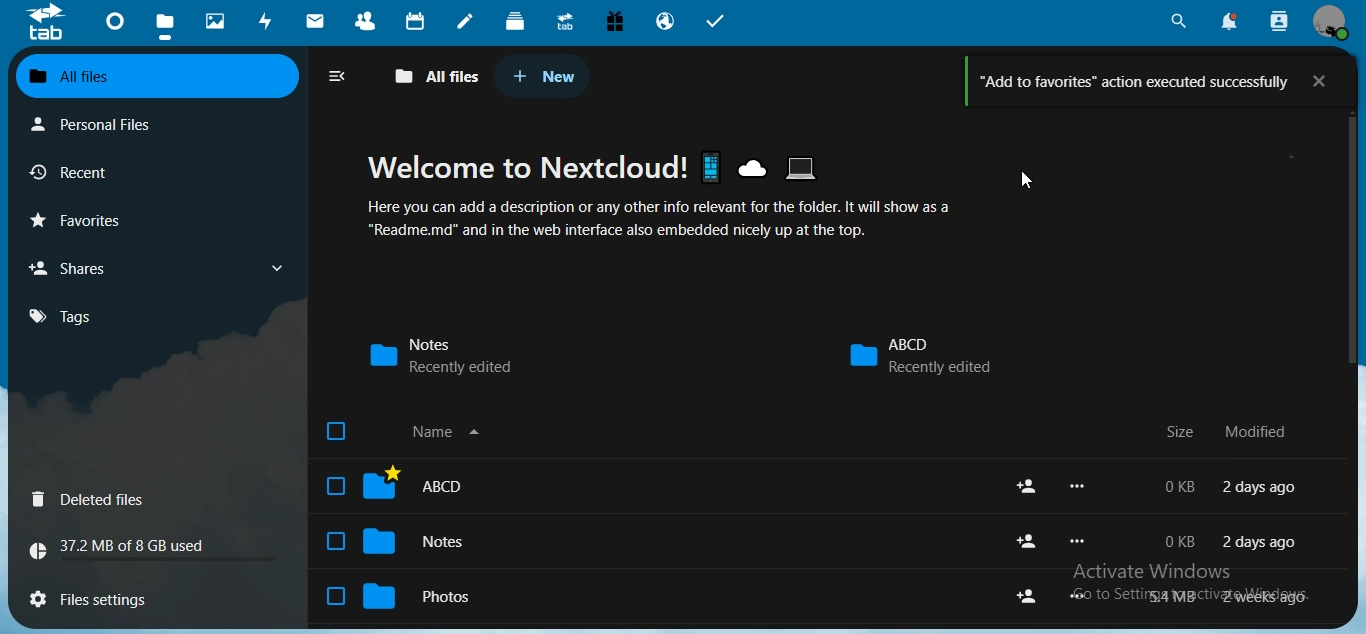 The width and height of the screenshot is (1366, 634). Describe the element at coordinates (1179, 20) in the screenshot. I see `unified search` at that location.